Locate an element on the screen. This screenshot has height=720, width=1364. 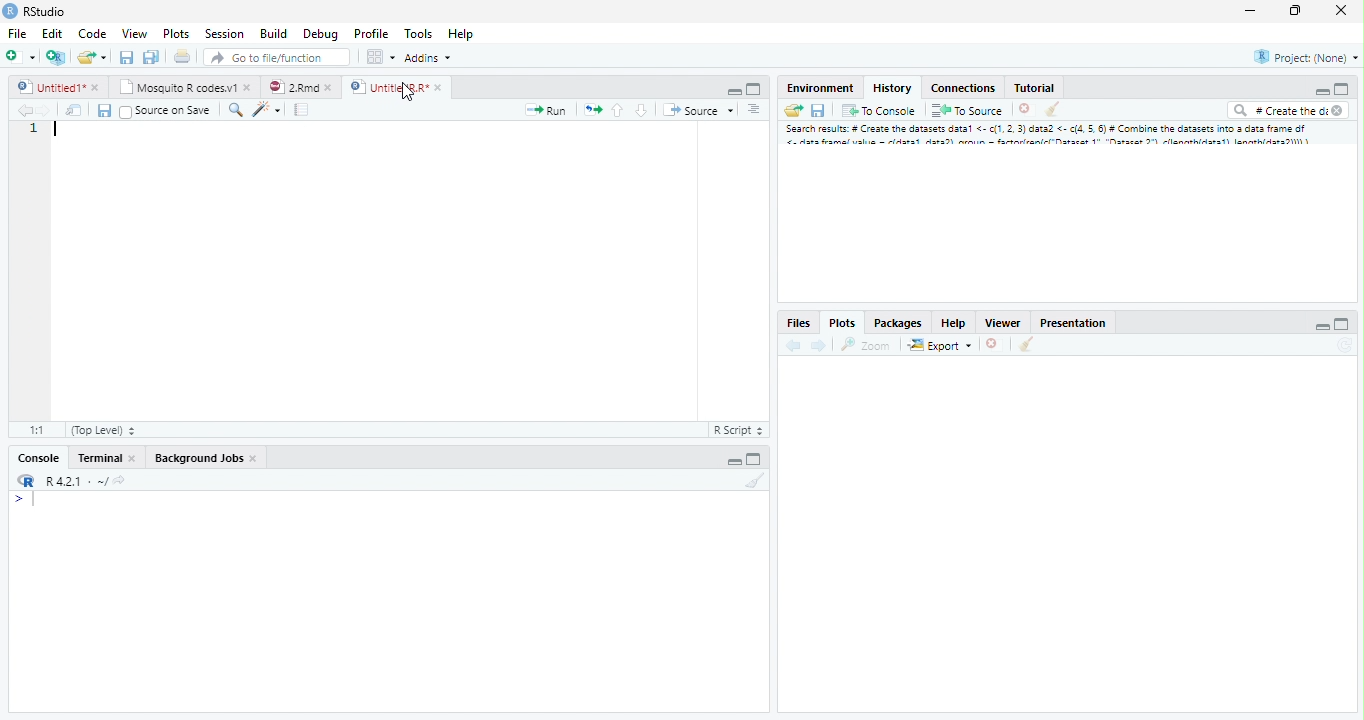
Clear console is located at coordinates (1029, 346).